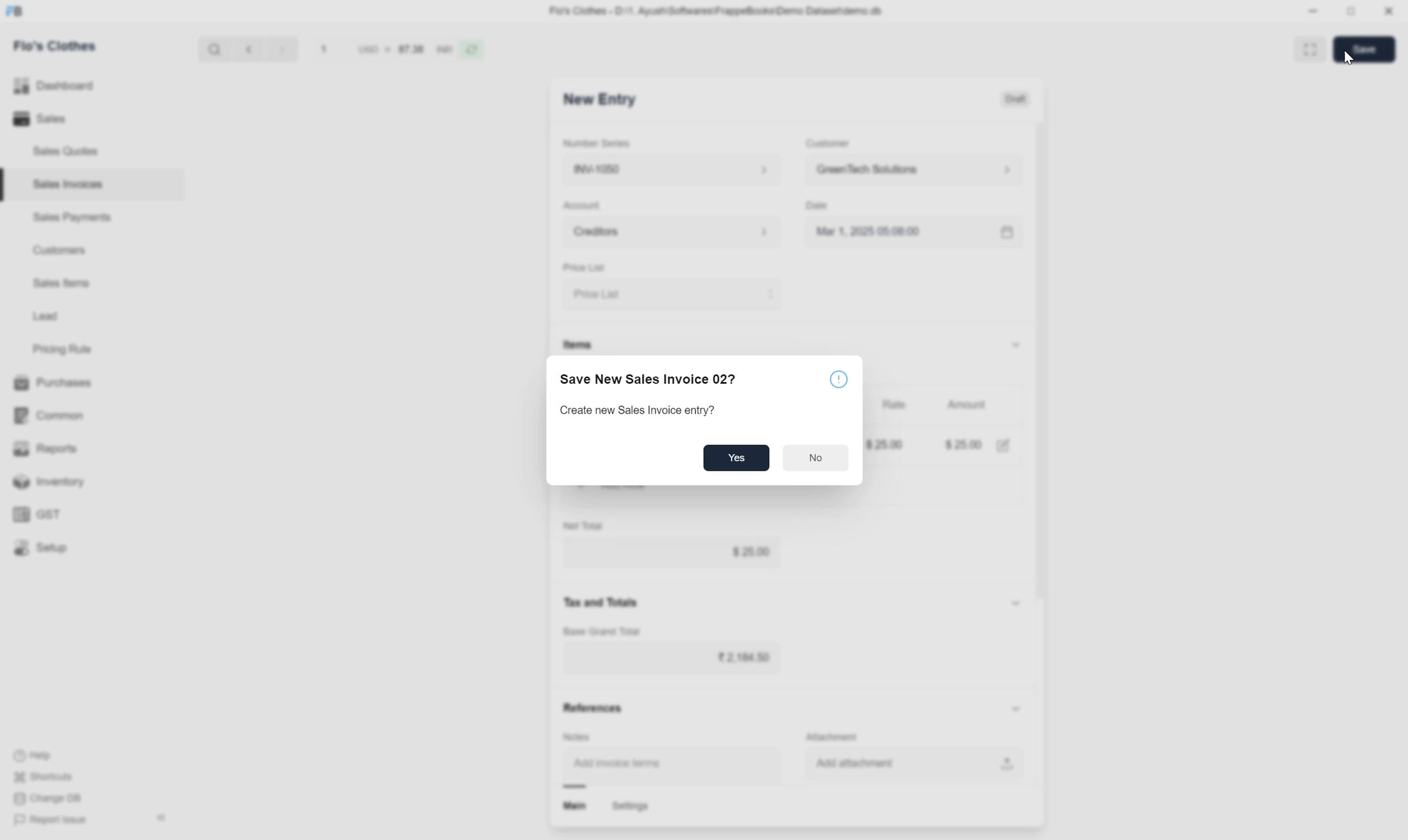 This screenshot has height=840, width=1408. What do you see at coordinates (581, 732) in the screenshot?
I see `Notes` at bounding box center [581, 732].